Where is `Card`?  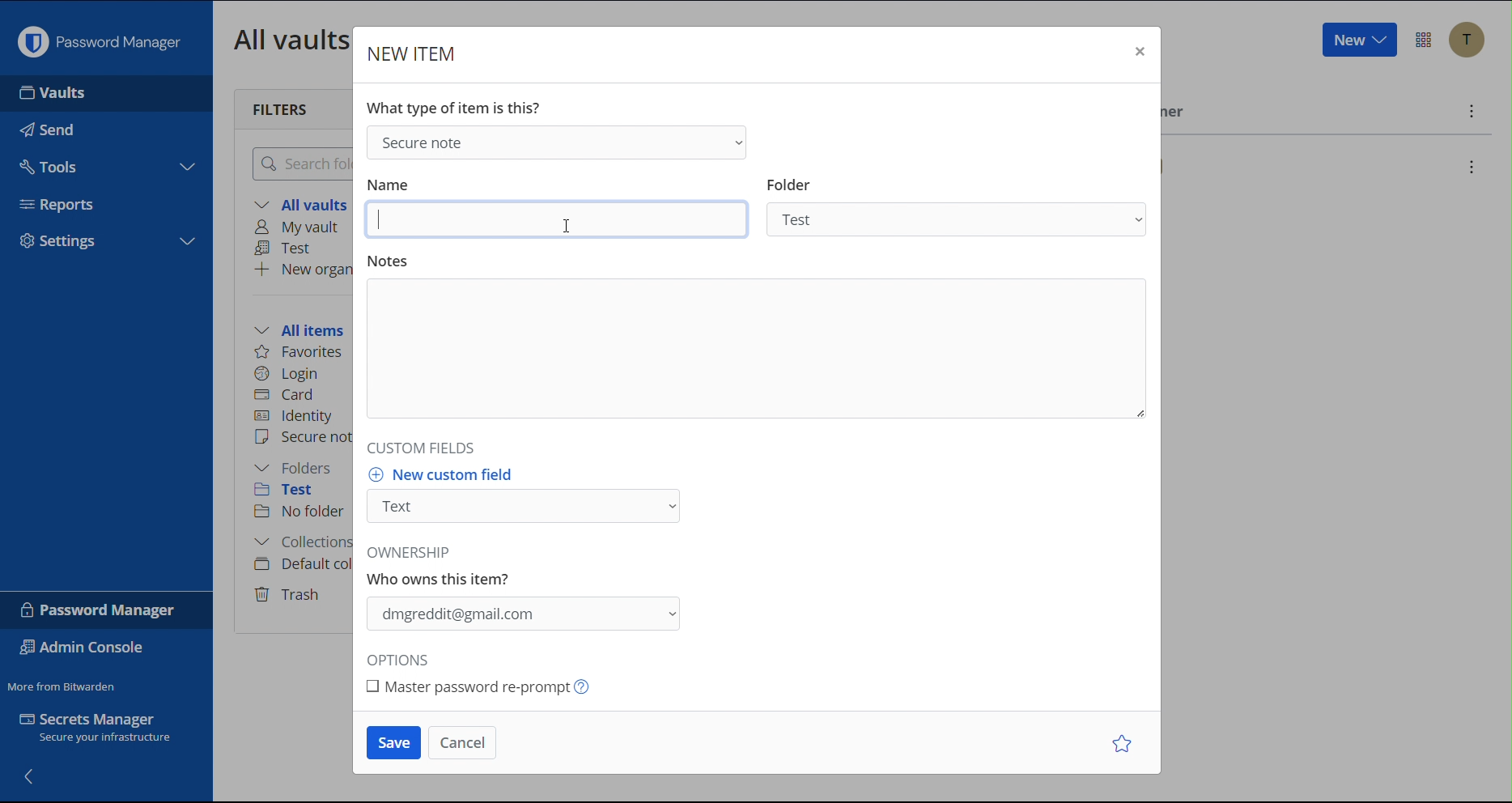 Card is located at coordinates (287, 393).